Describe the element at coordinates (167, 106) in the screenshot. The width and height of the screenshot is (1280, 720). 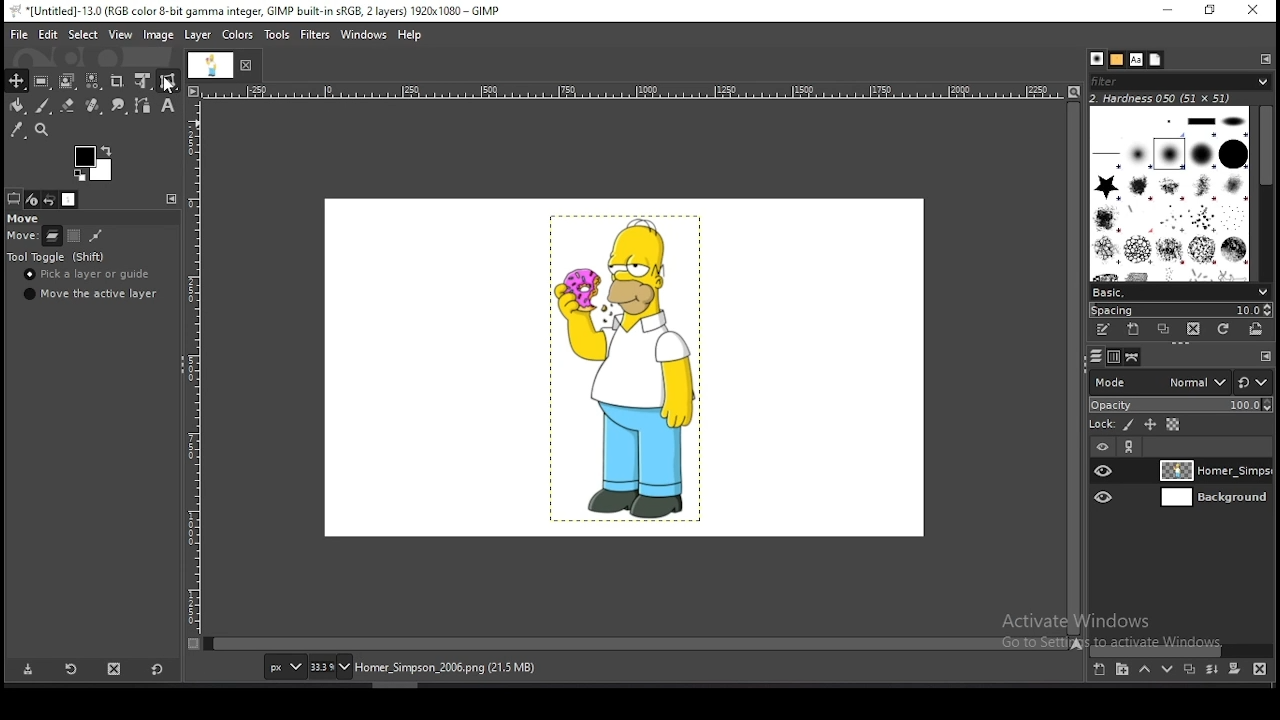
I see `text tool` at that location.